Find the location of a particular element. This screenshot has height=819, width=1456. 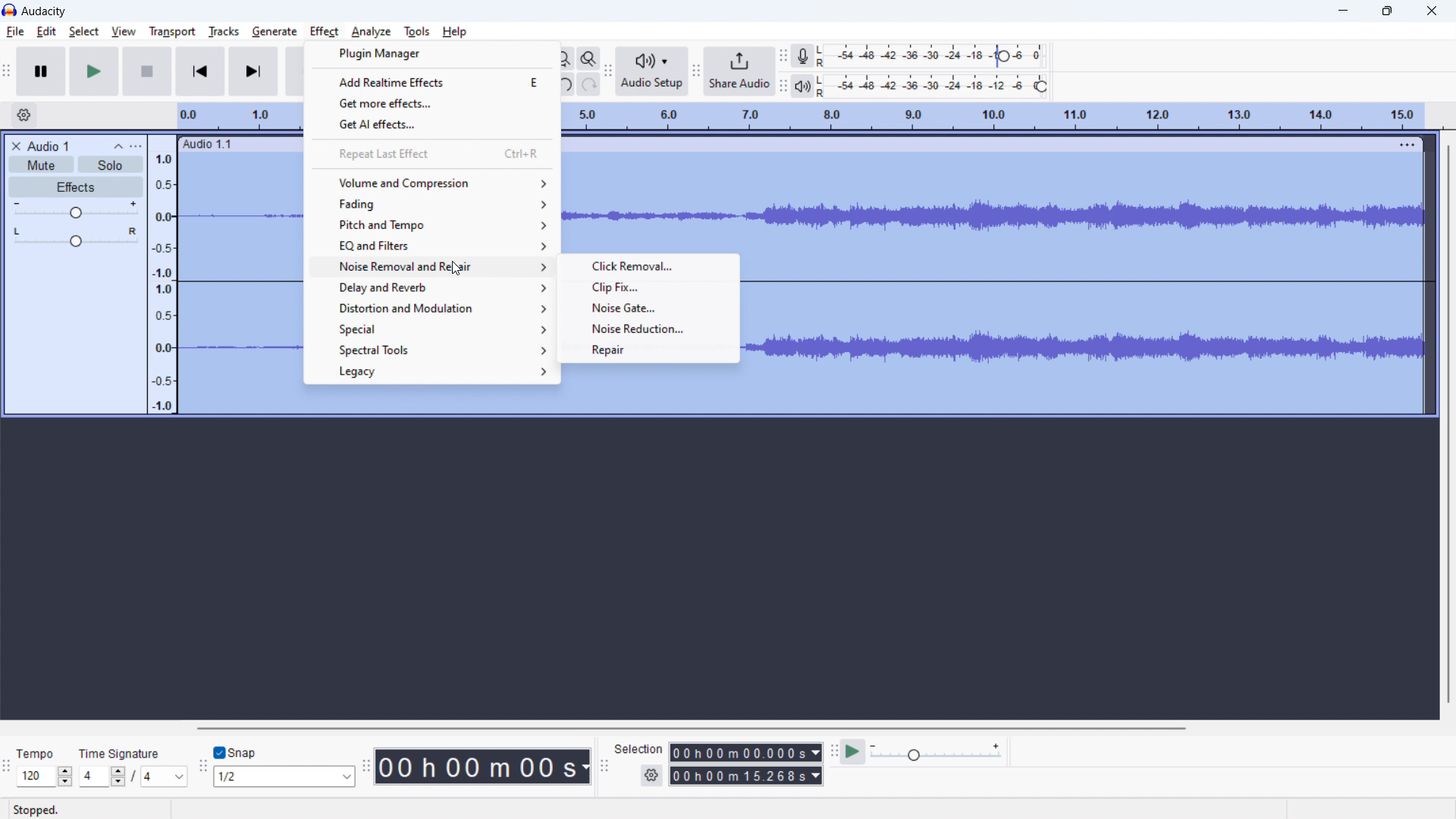

maximize is located at coordinates (1387, 12).